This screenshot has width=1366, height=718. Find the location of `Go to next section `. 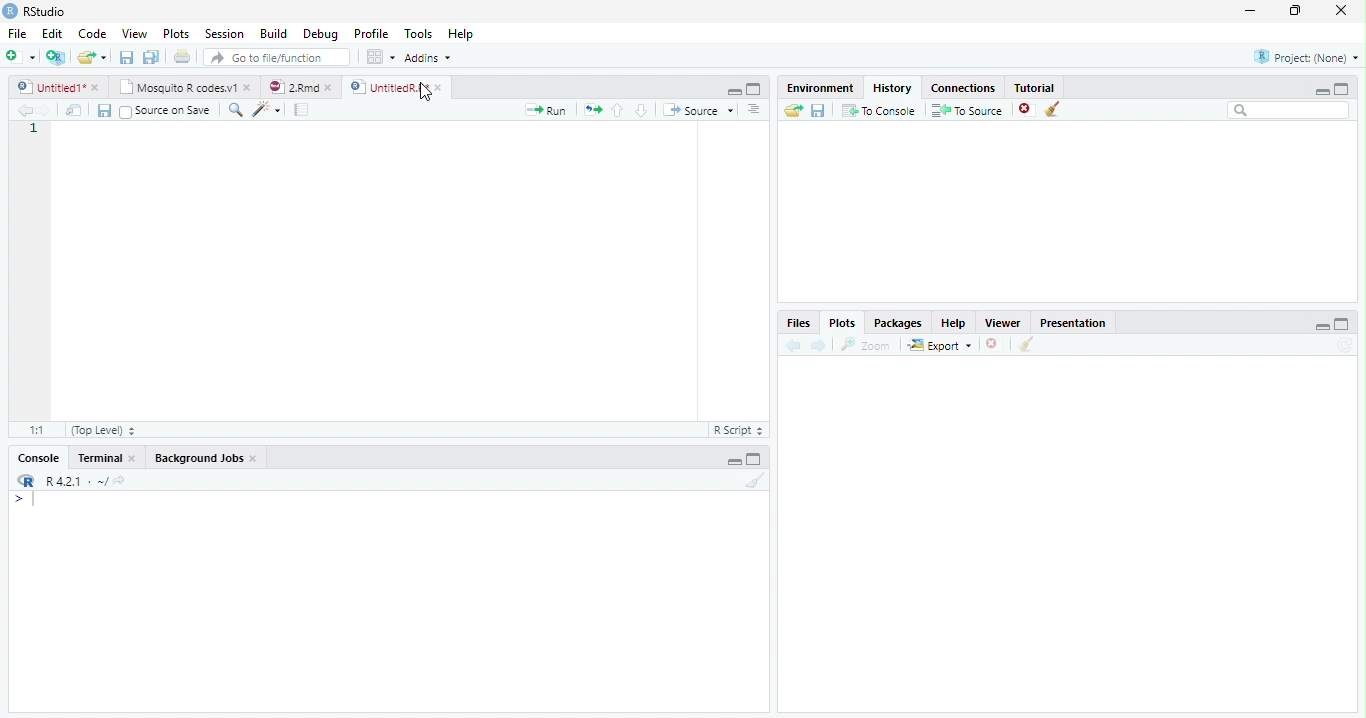

Go to next section  is located at coordinates (642, 111).